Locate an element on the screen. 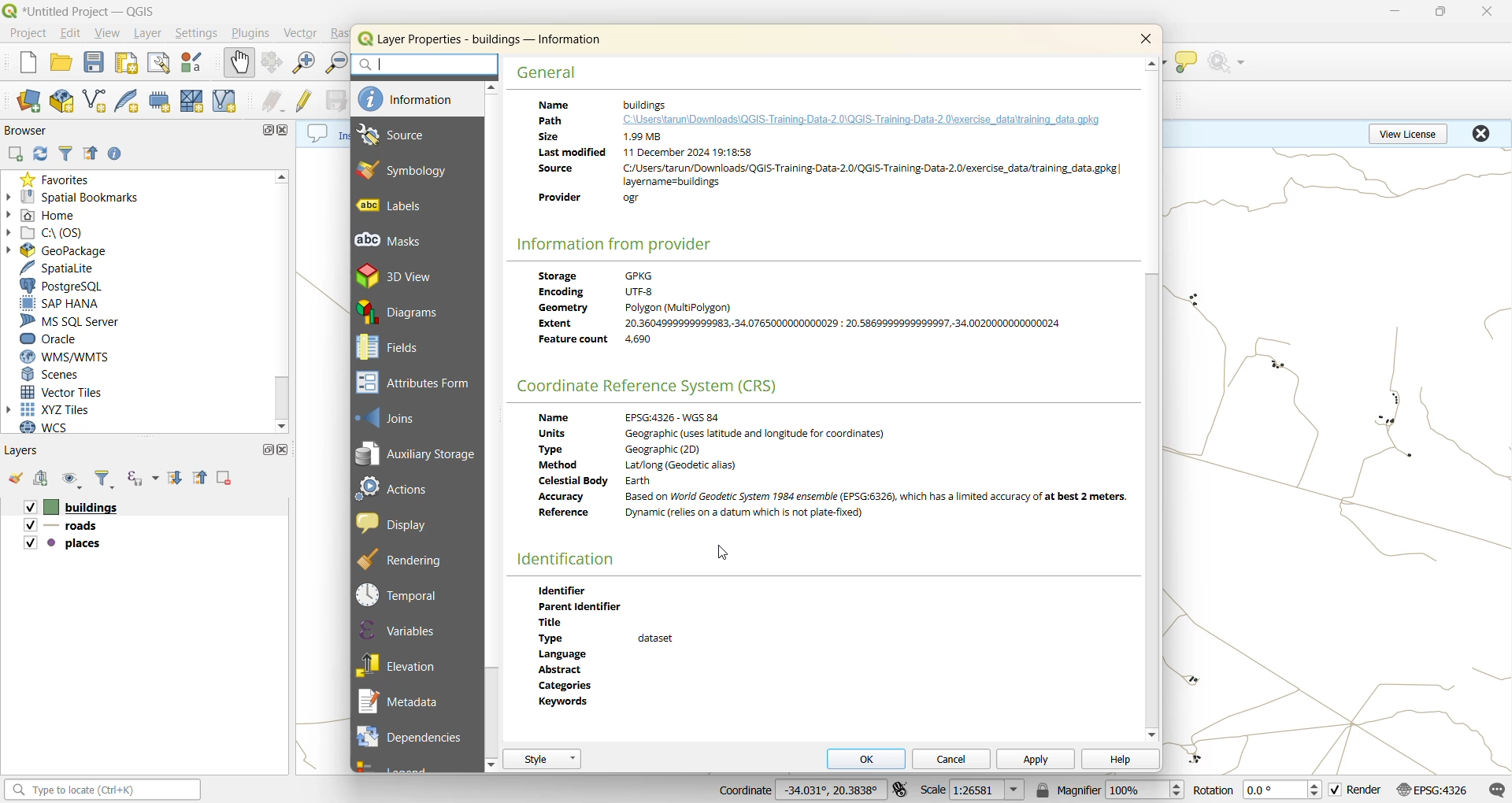  zoom in is located at coordinates (306, 63).